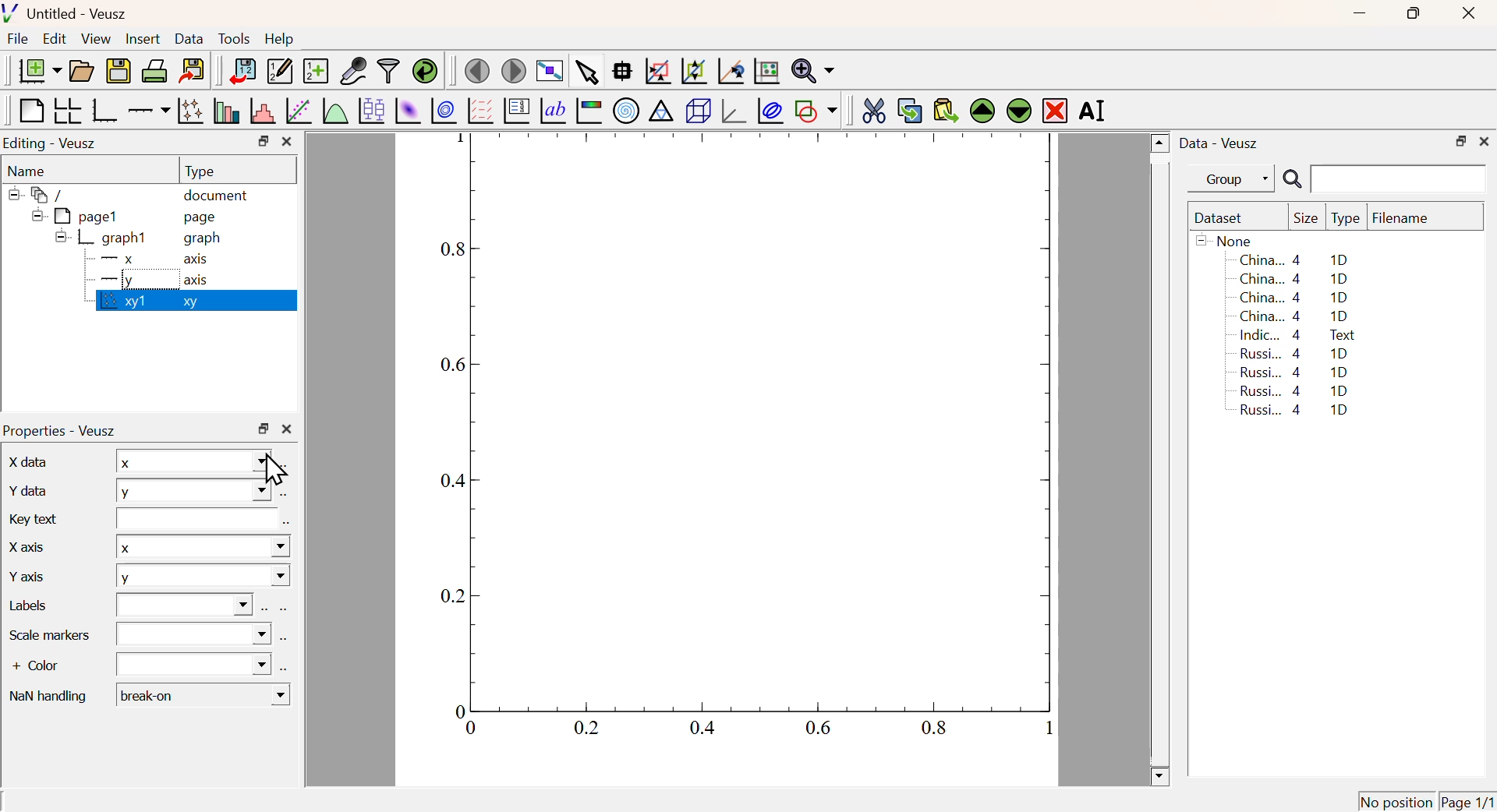  I want to click on Zoom function menu, so click(813, 69).